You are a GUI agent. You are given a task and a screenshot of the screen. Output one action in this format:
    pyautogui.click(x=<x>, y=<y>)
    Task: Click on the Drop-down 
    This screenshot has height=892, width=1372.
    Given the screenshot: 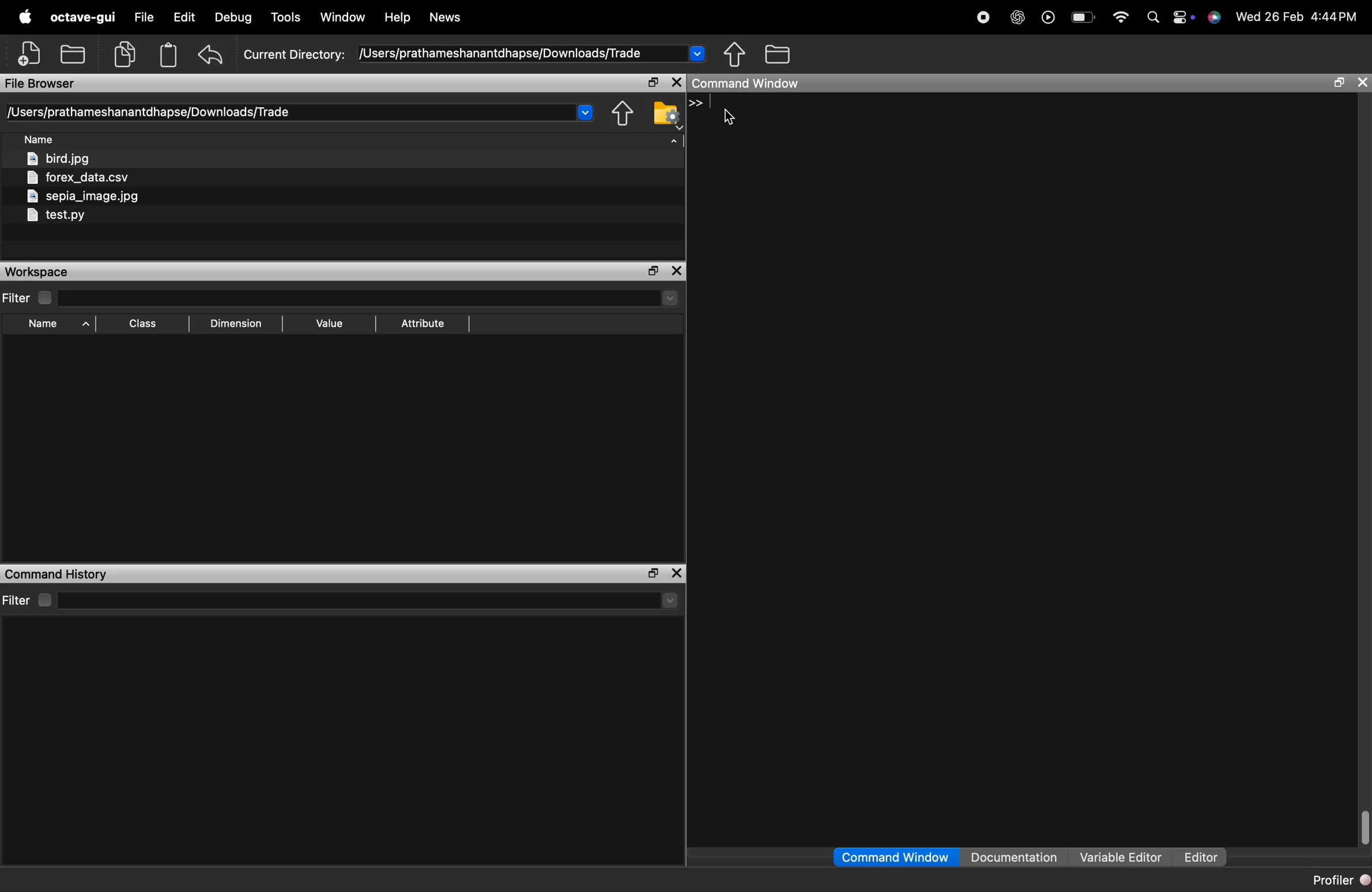 What is the action you would take?
    pyautogui.click(x=696, y=52)
    